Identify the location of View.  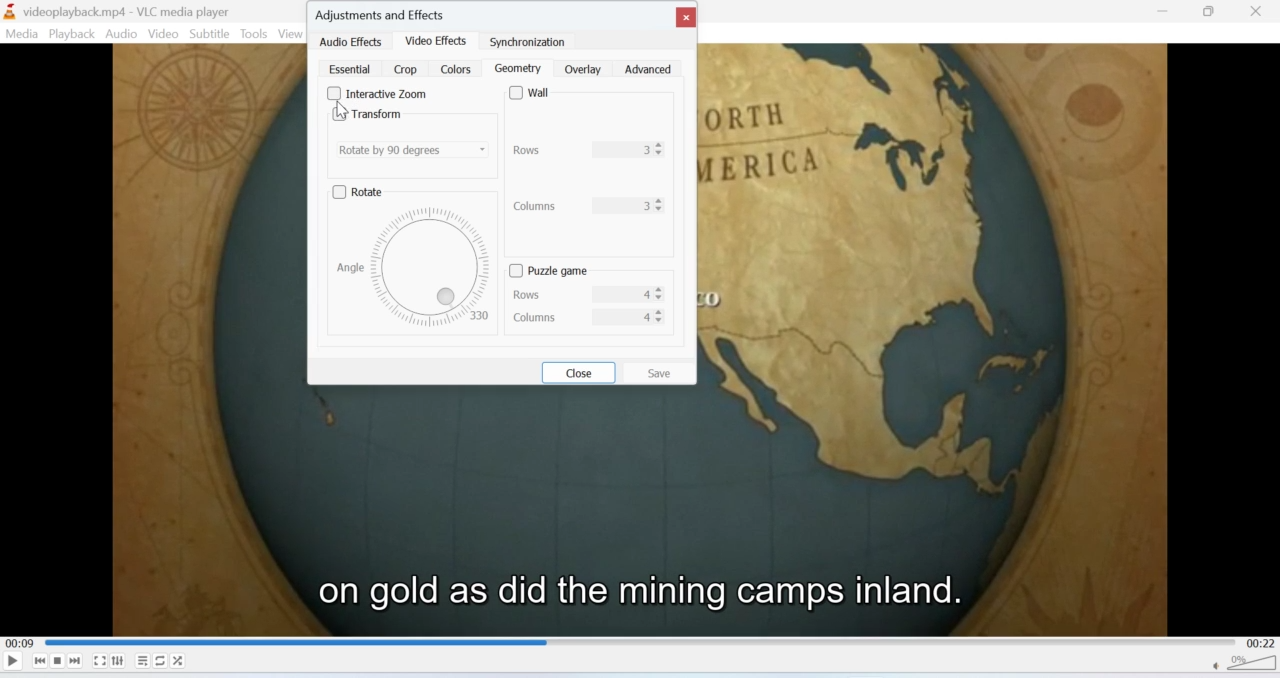
(291, 34).